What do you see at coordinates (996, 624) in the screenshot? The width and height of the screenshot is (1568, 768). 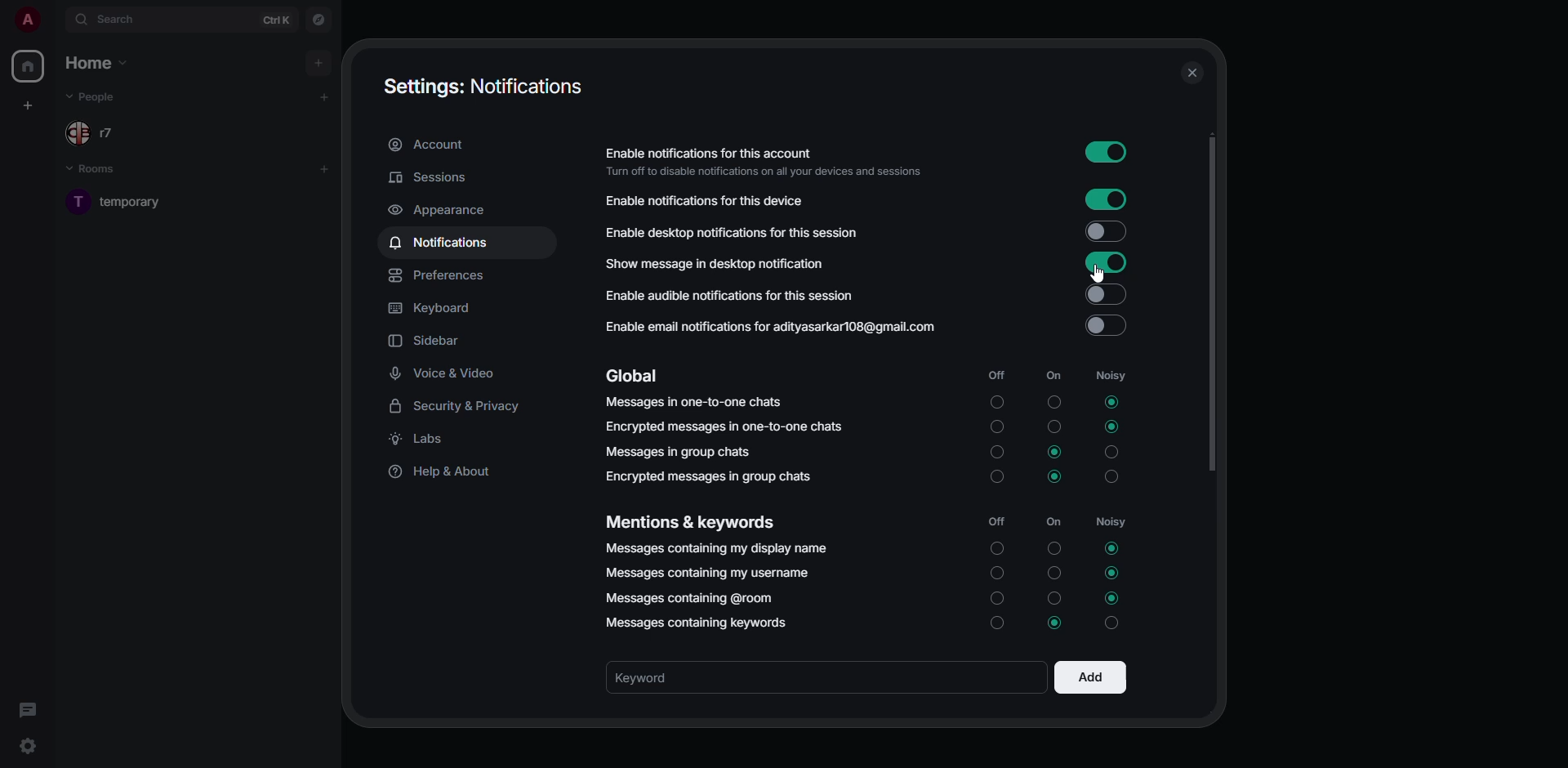 I see `turn on` at bounding box center [996, 624].